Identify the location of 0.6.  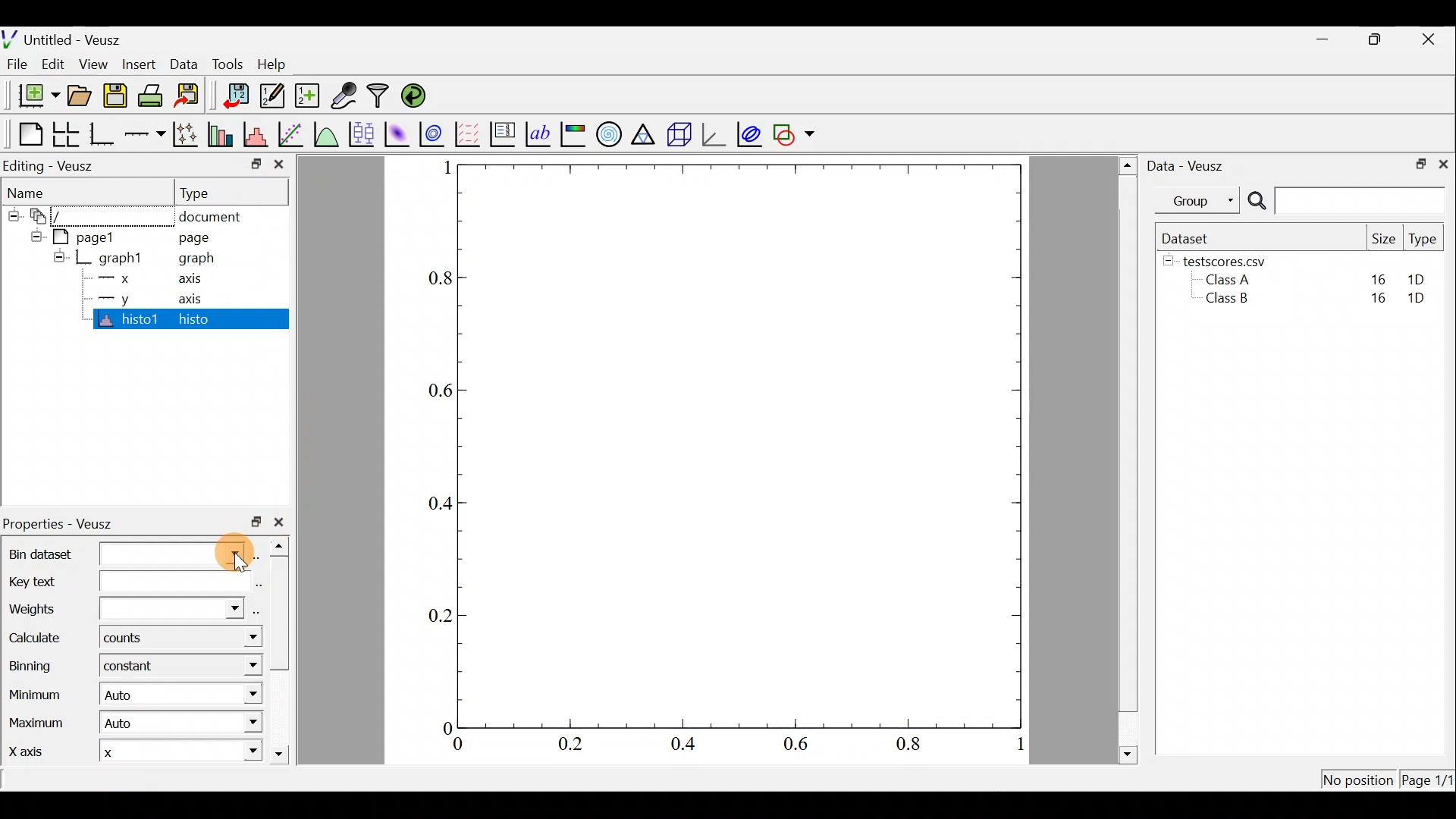
(799, 746).